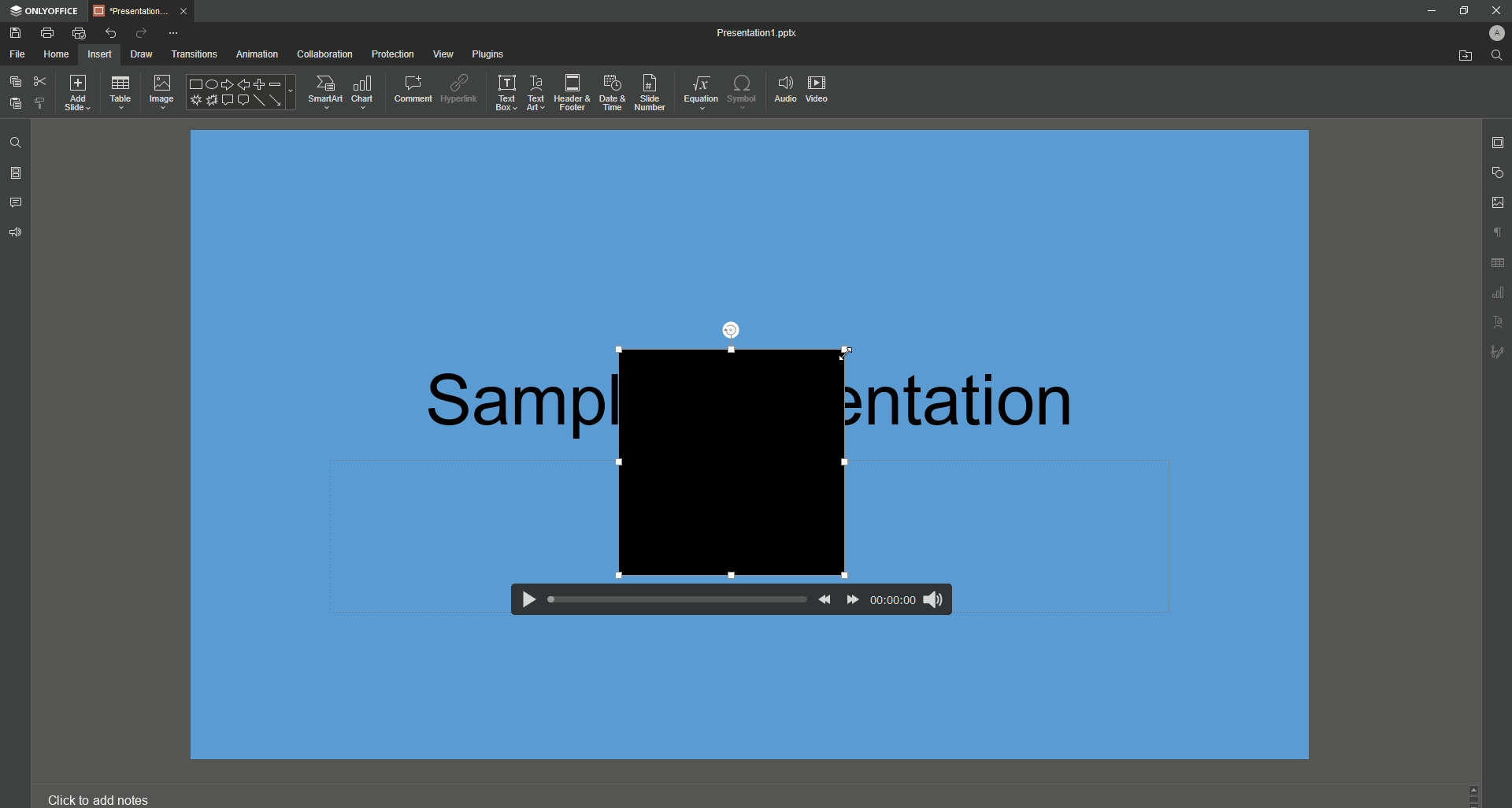 The width and height of the screenshot is (1512, 808). I want to click on Close, so click(1497, 13).